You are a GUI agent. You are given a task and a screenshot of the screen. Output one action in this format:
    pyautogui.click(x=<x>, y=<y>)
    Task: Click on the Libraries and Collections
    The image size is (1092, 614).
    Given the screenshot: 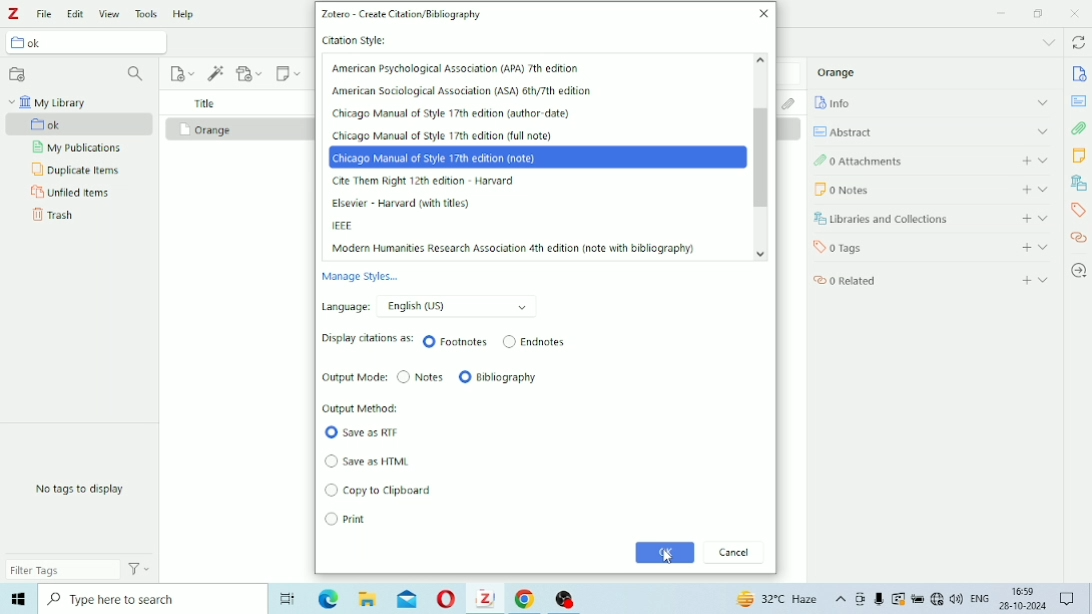 What is the action you would take?
    pyautogui.click(x=932, y=219)
    